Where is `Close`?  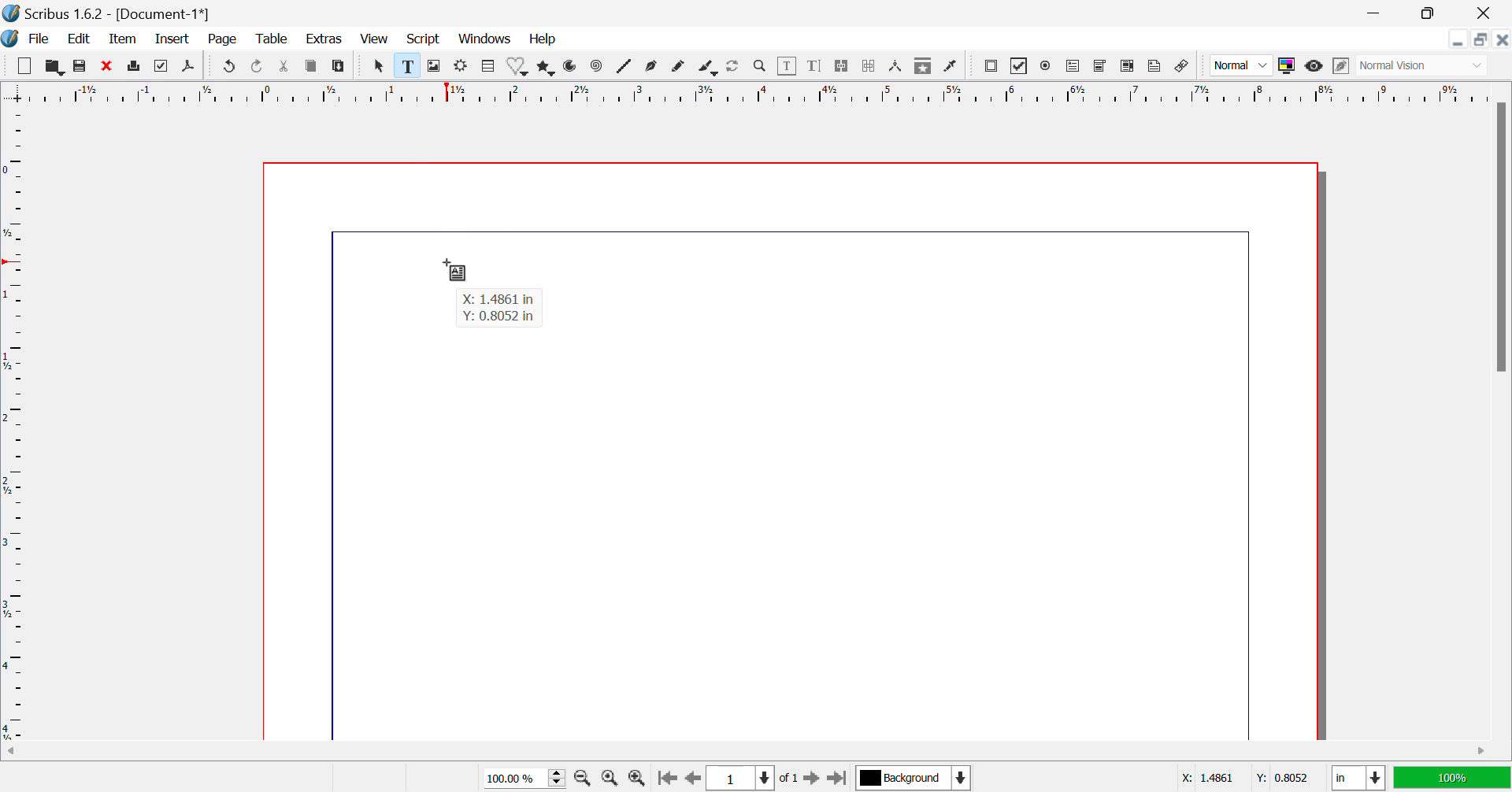
Close is located at coordinates (1503, 40).